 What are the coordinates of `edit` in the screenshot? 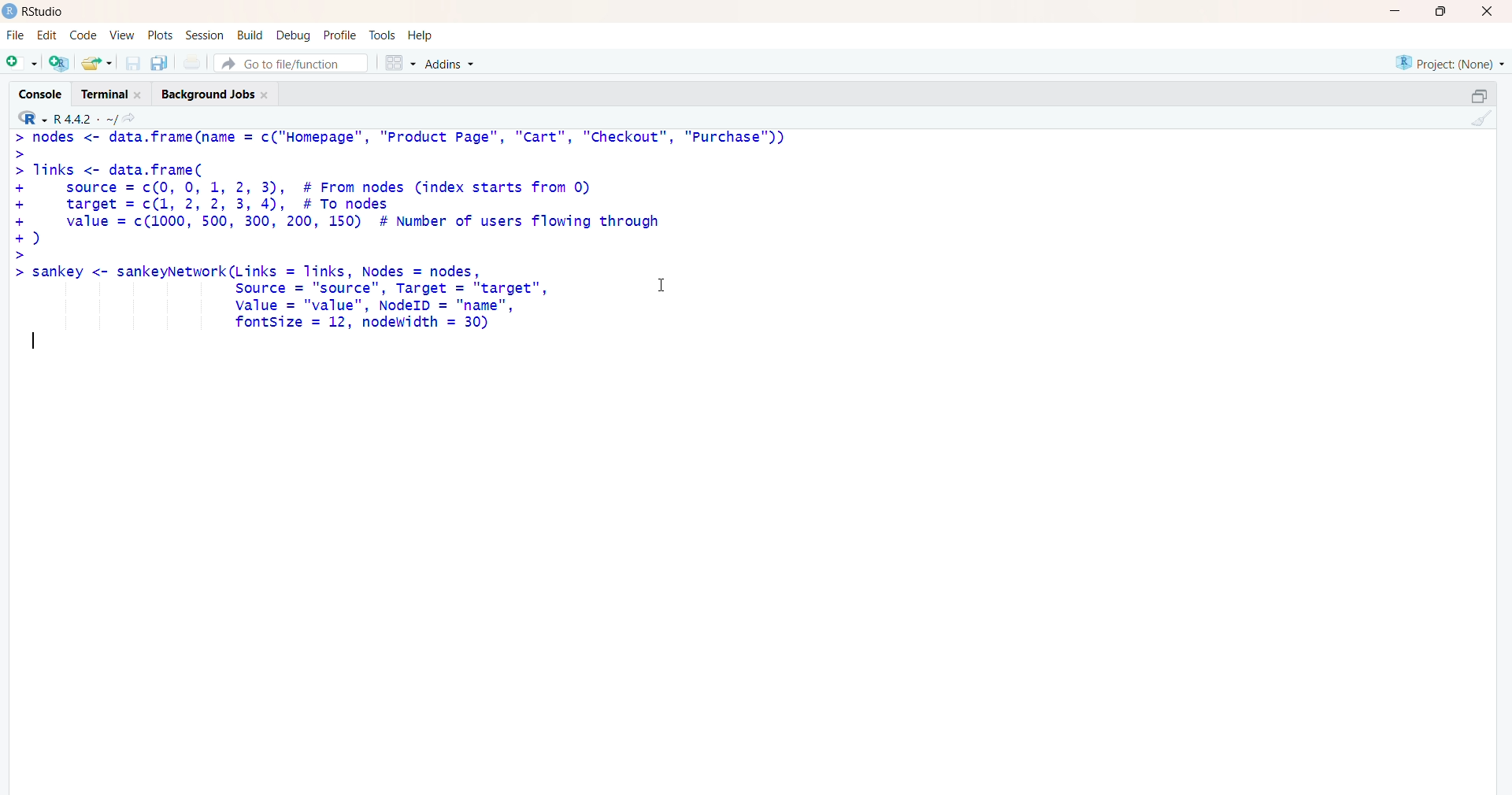 It's located at (46, 35).